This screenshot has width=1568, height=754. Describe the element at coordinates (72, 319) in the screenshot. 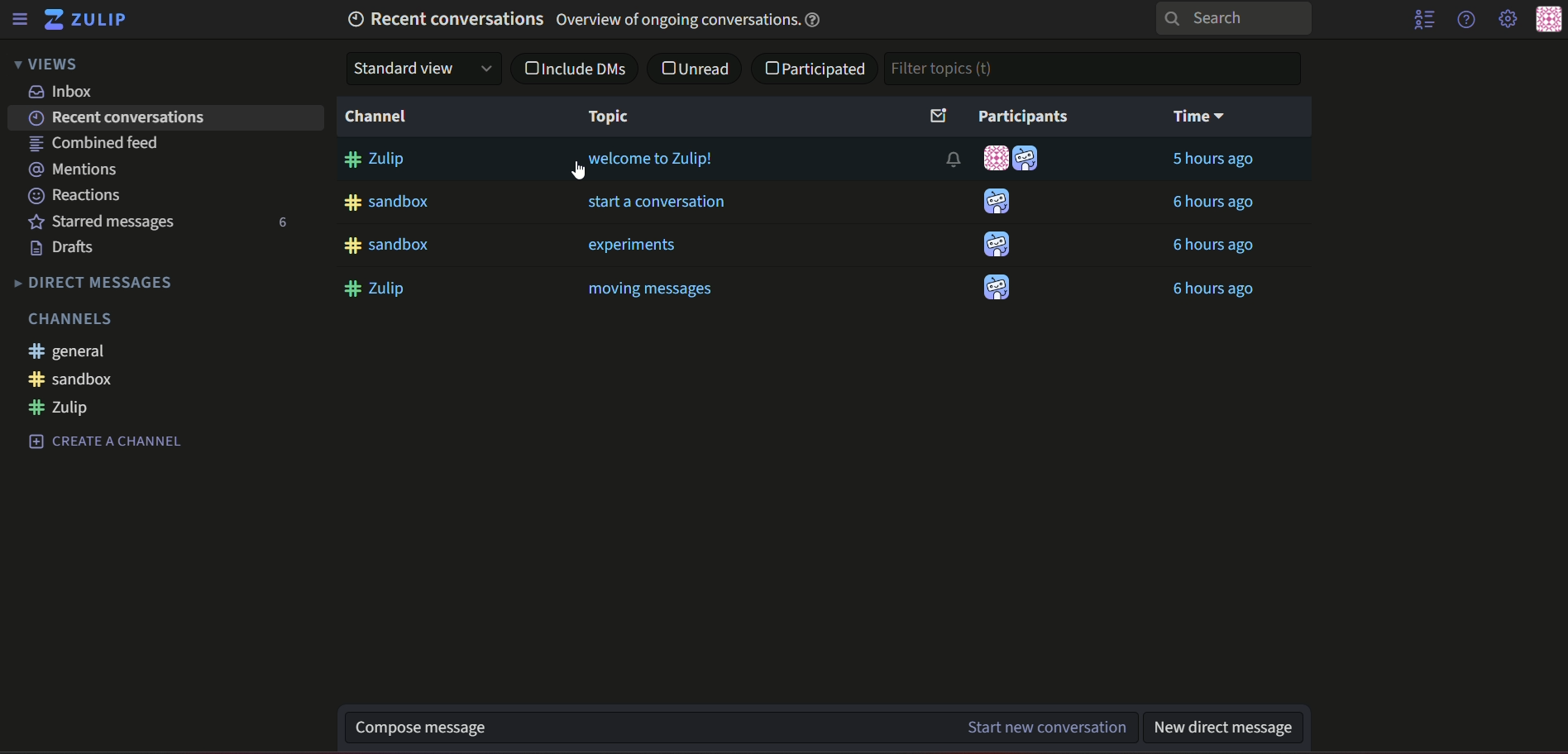

I see `Channels` at that location.